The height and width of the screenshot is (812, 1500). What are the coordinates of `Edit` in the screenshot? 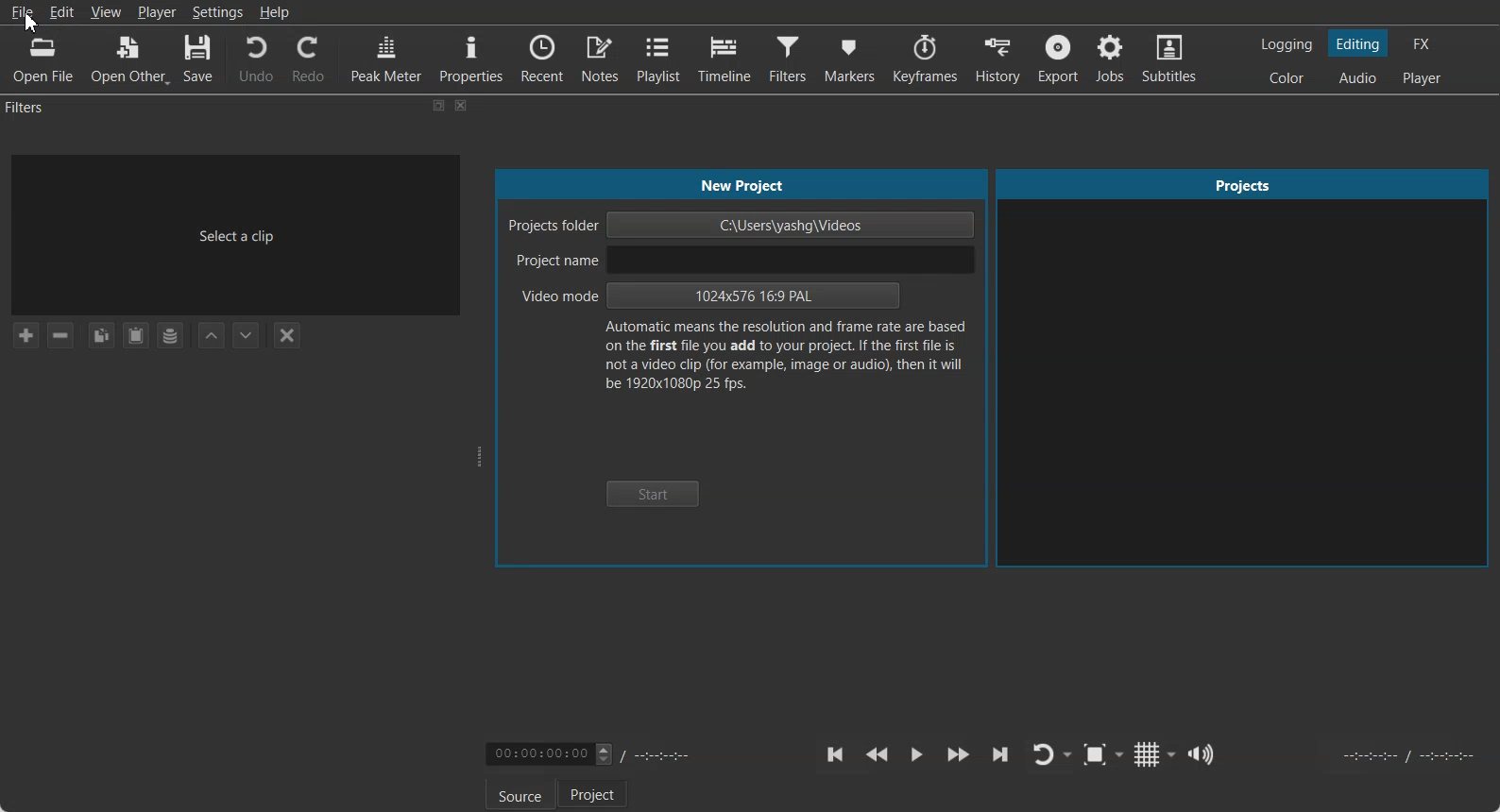 It's located at (63, 11).